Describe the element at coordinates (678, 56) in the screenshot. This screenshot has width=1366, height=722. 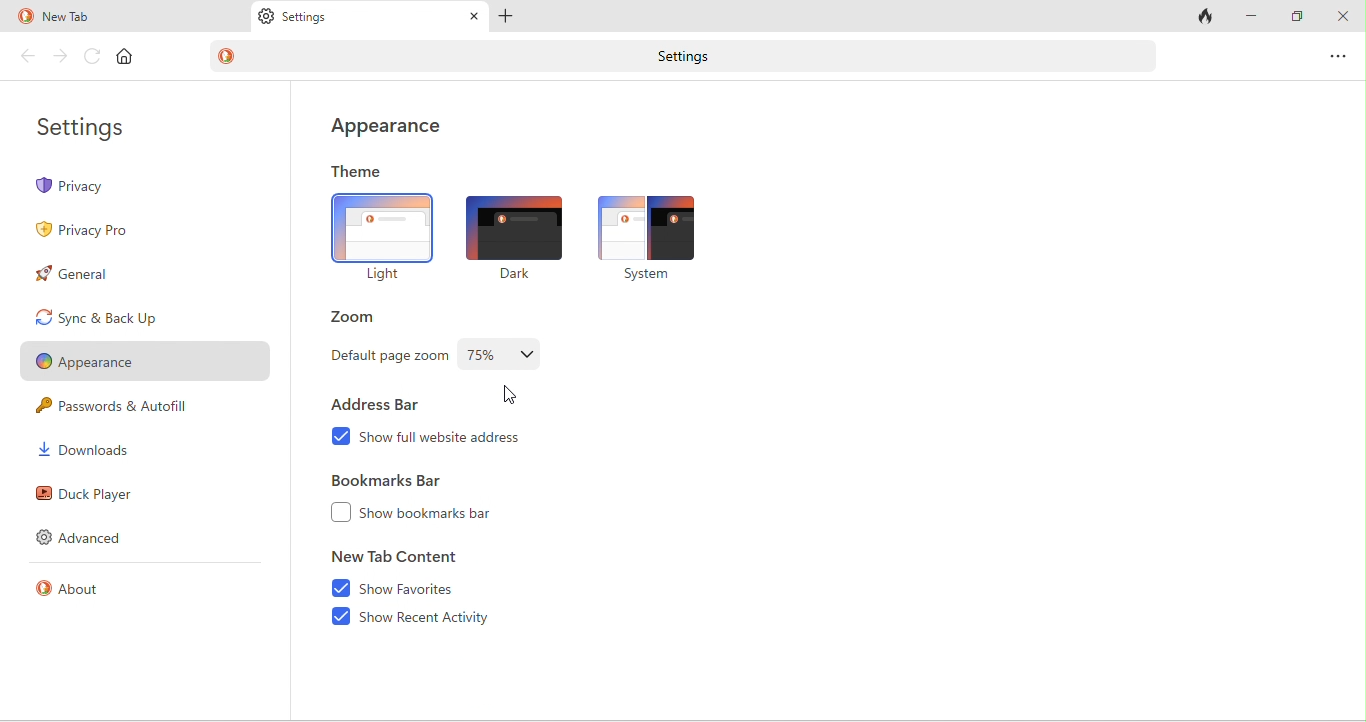
I see `settings` at that location.